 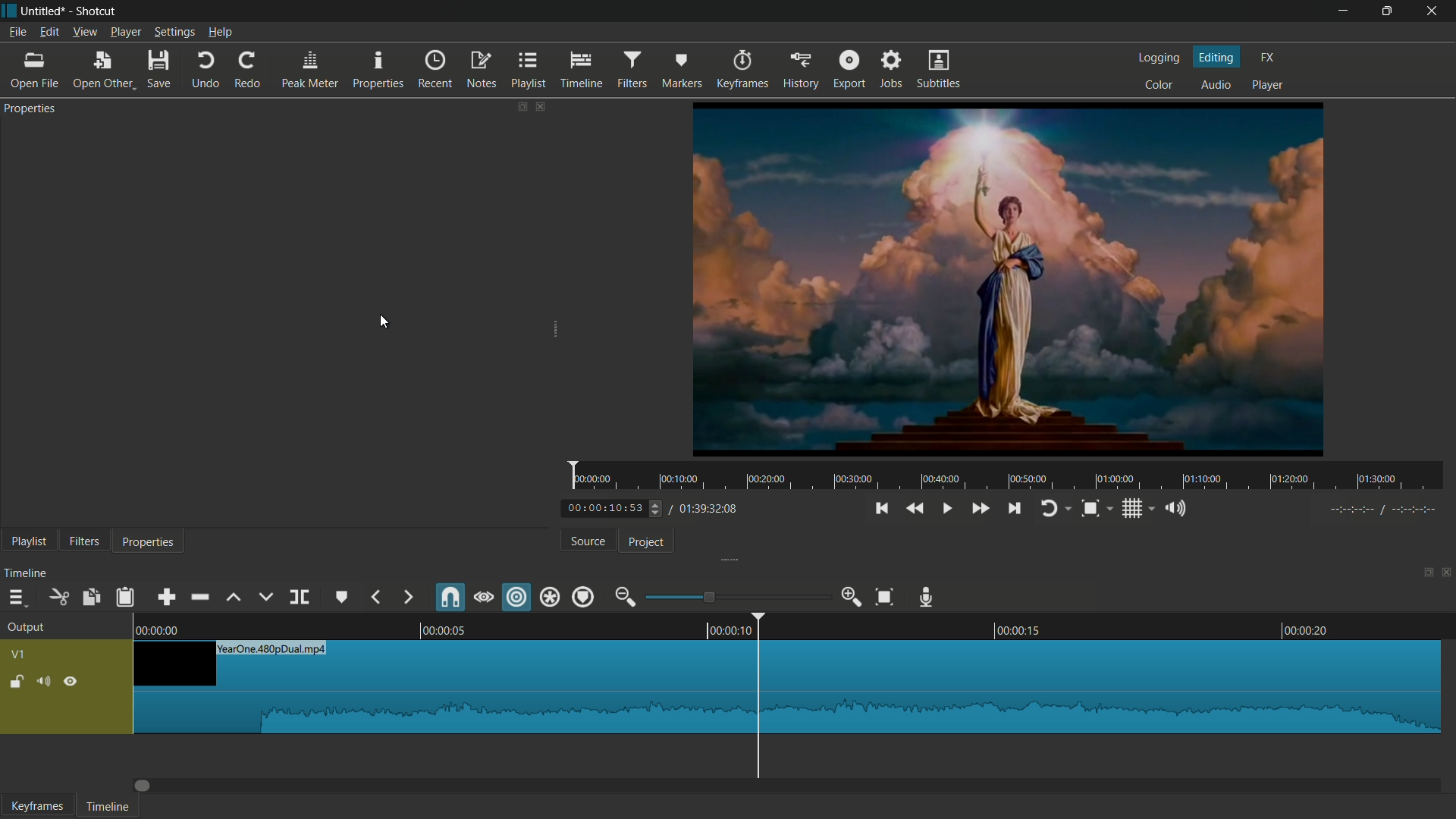 What do you see at coordinates (110, 808) in the screenshot?
I see `timeline` at bounding box center [110, 808].